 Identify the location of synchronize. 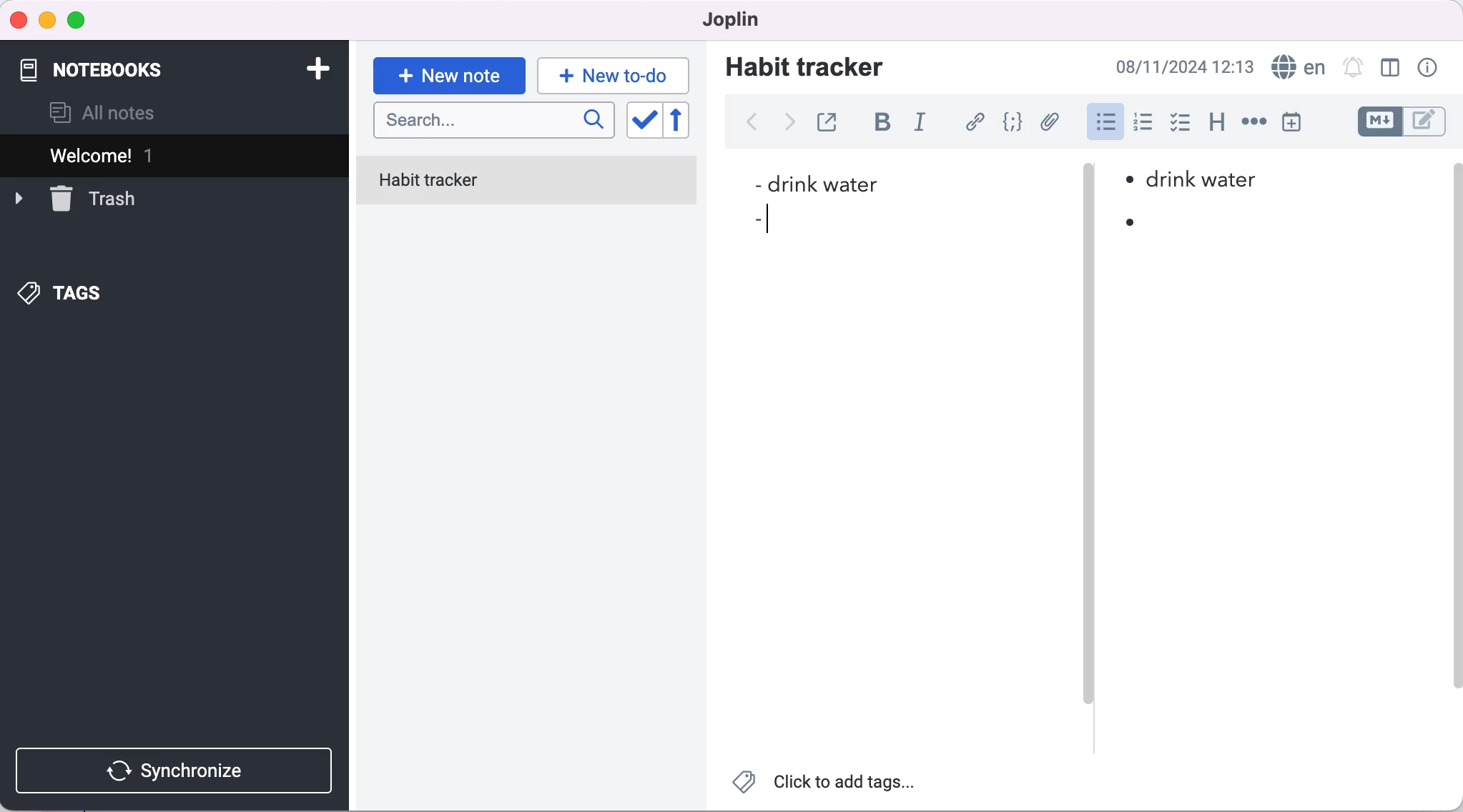
(177, 771).